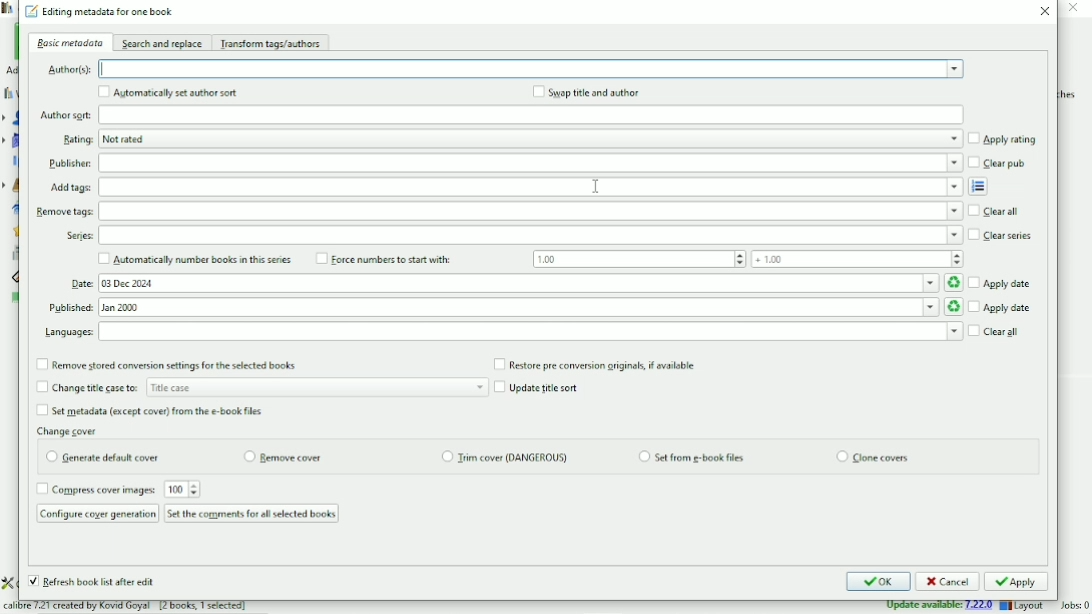 This screenshot has height=614, width=1092. Describe the element at coordinates (691, 457) in the screenshot. I see `set from e-book files` at that location.